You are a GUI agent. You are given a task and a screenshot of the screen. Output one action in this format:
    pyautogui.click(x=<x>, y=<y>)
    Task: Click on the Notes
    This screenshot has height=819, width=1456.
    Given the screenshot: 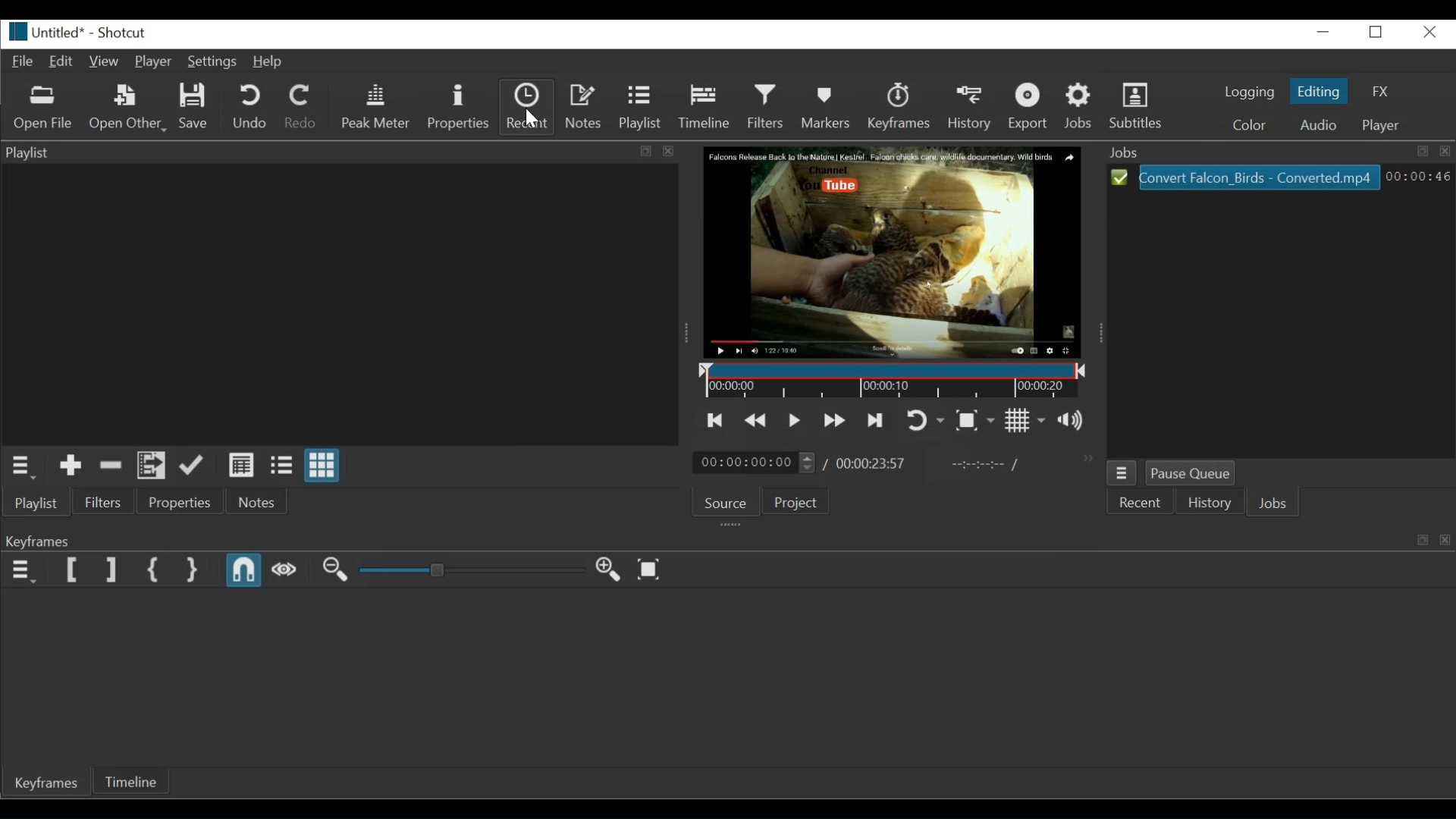 What is the action you would take?
    pyautogui.click(x=586, y=106)
    